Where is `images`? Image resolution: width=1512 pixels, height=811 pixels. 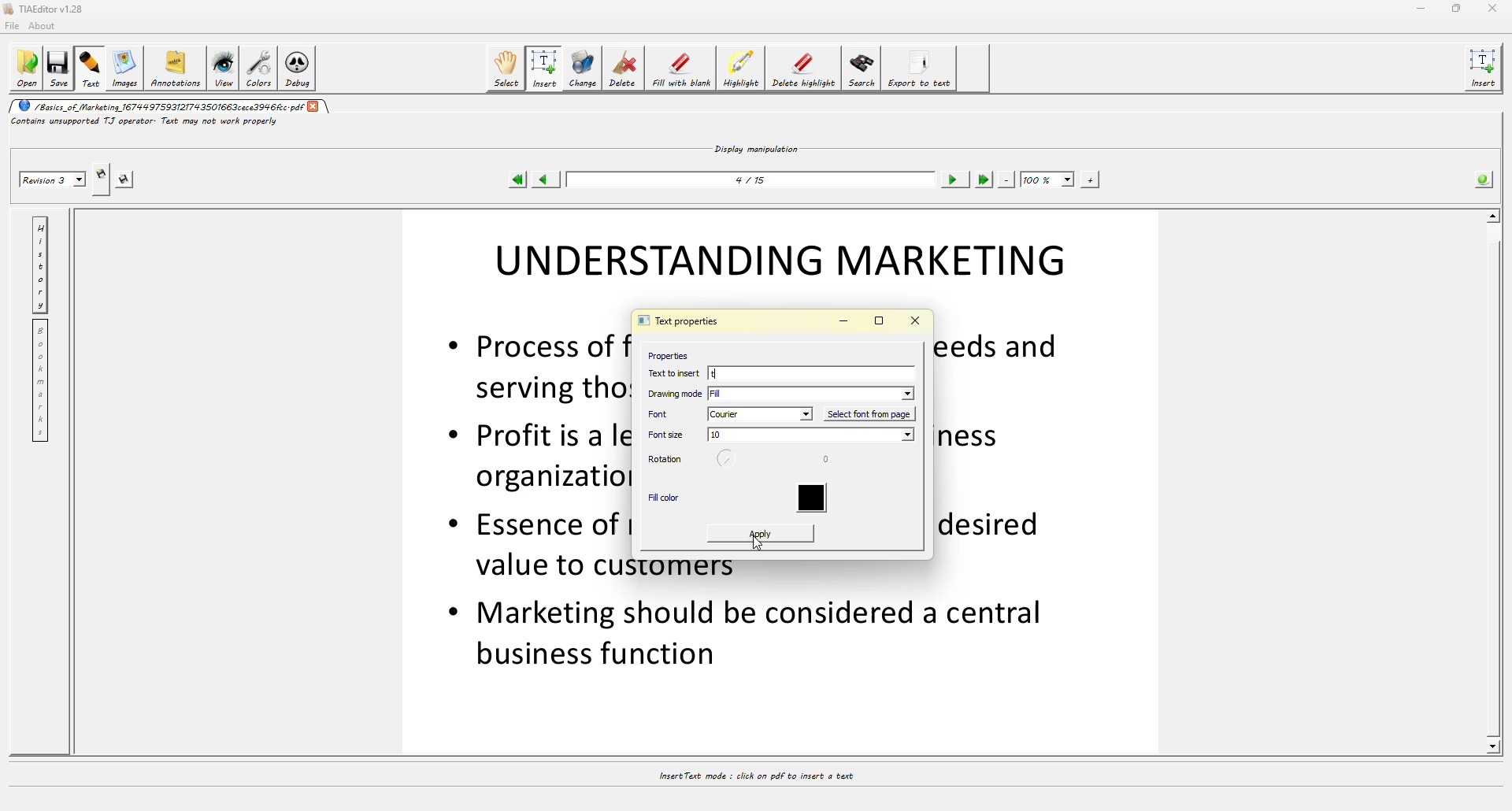
images is located at coordinates (123, 68).